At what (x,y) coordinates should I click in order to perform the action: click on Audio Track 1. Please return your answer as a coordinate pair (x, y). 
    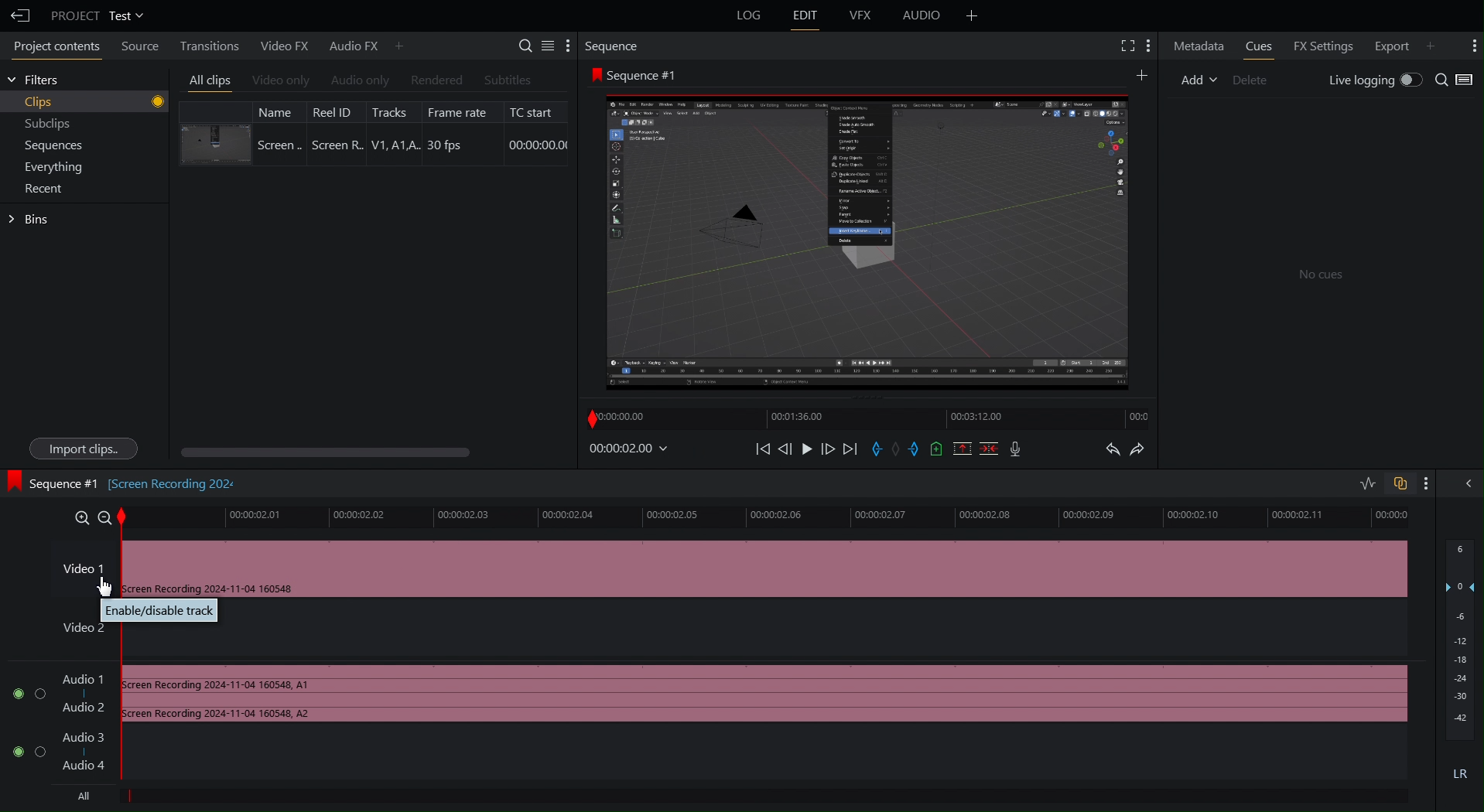
    Looking at the image, I should click on (703, 695).